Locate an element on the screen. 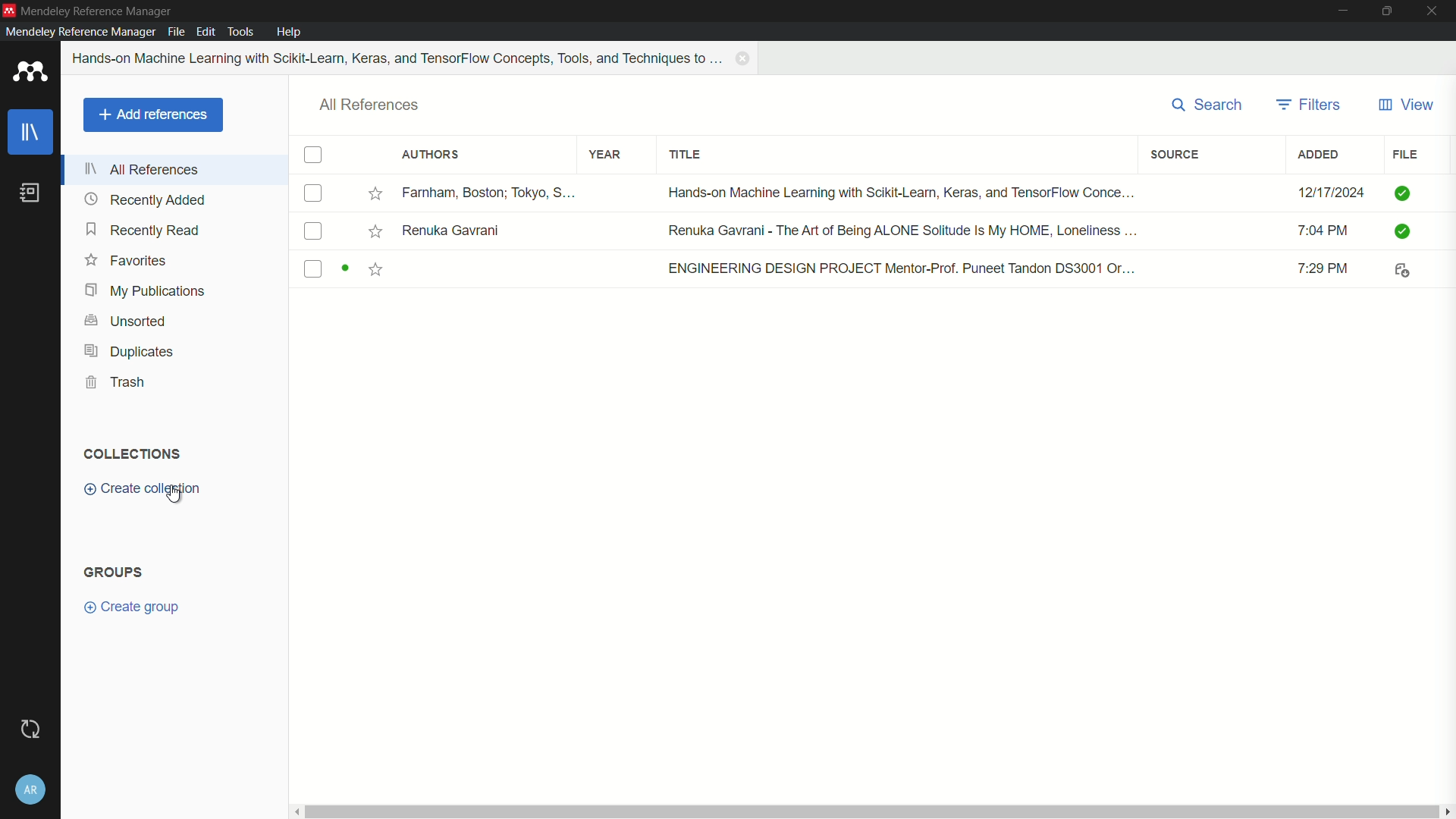 Image resolution: width=1456 pixels, height=819 pixels. app icon is located at coordinates (9, 11).